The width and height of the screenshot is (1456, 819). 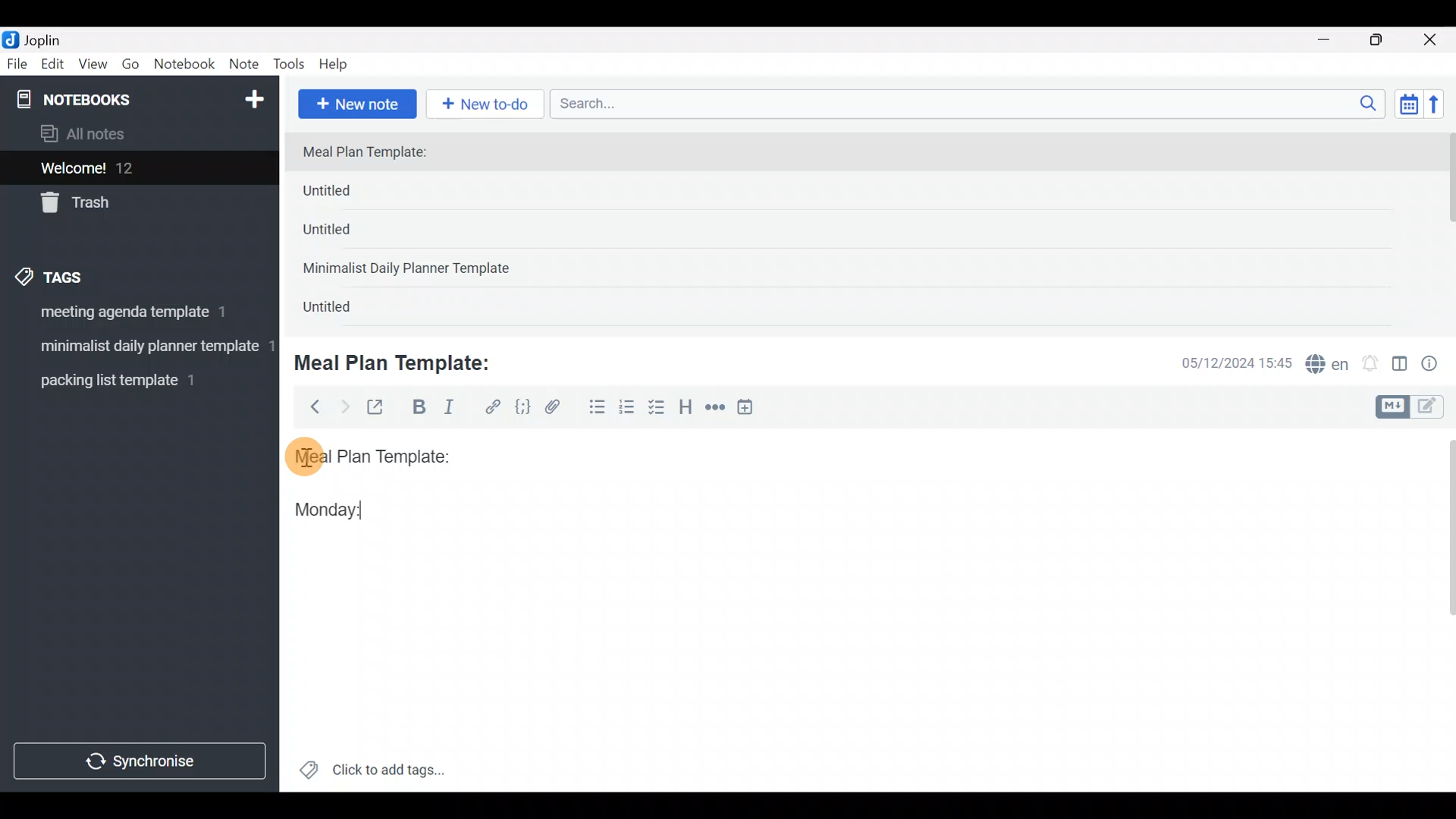 I want to click on New, so click(x=253, y=96).